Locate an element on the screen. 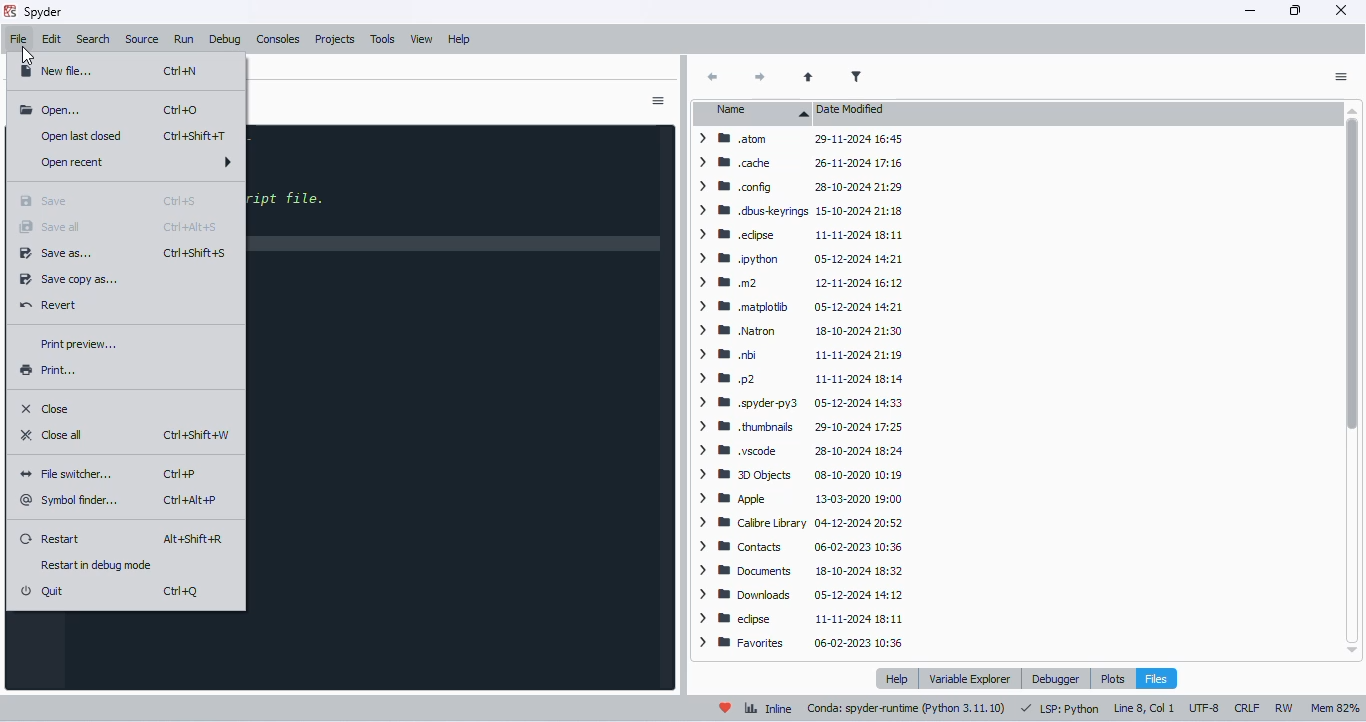 The width and height of the screenshot is (1366, 722). RW is located at coordinates (1283, 708).